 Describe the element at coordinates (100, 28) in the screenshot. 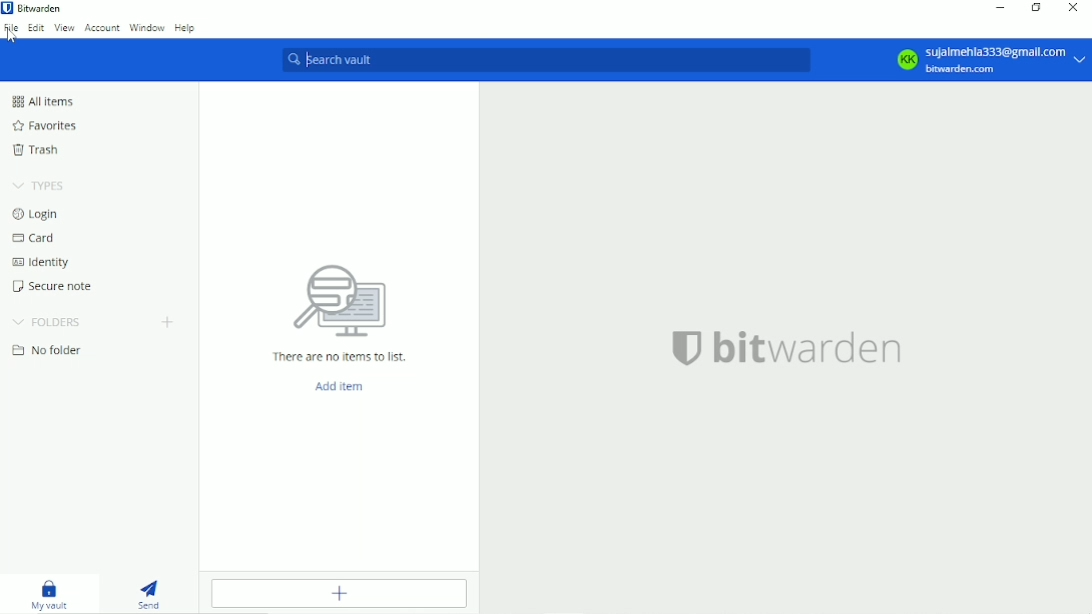

I see `Account` at that location.